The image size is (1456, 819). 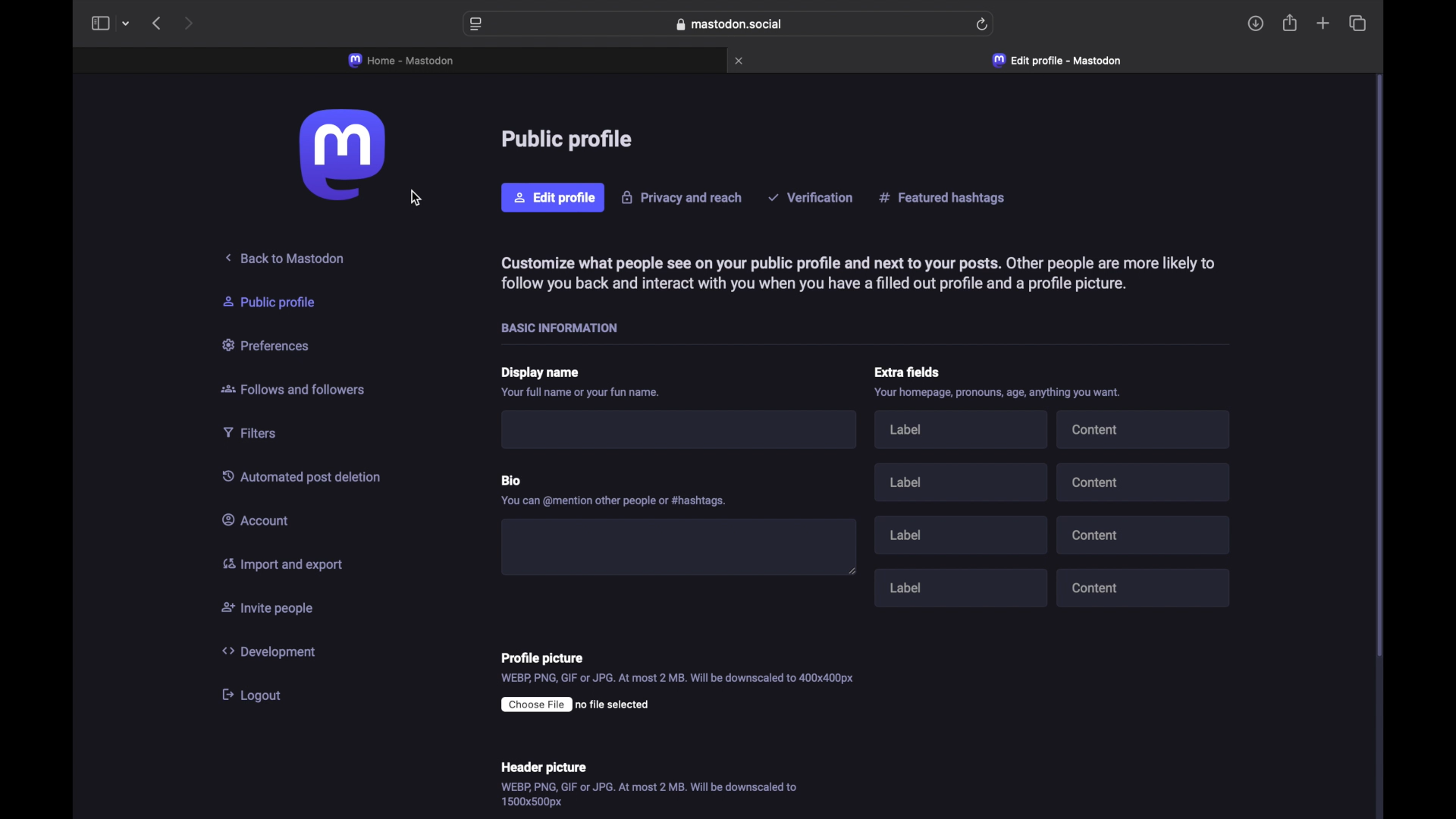 What do you see at coordinates (475, 25) in the screenshot?
I see `website preferences` at bounding box center [475, 25].